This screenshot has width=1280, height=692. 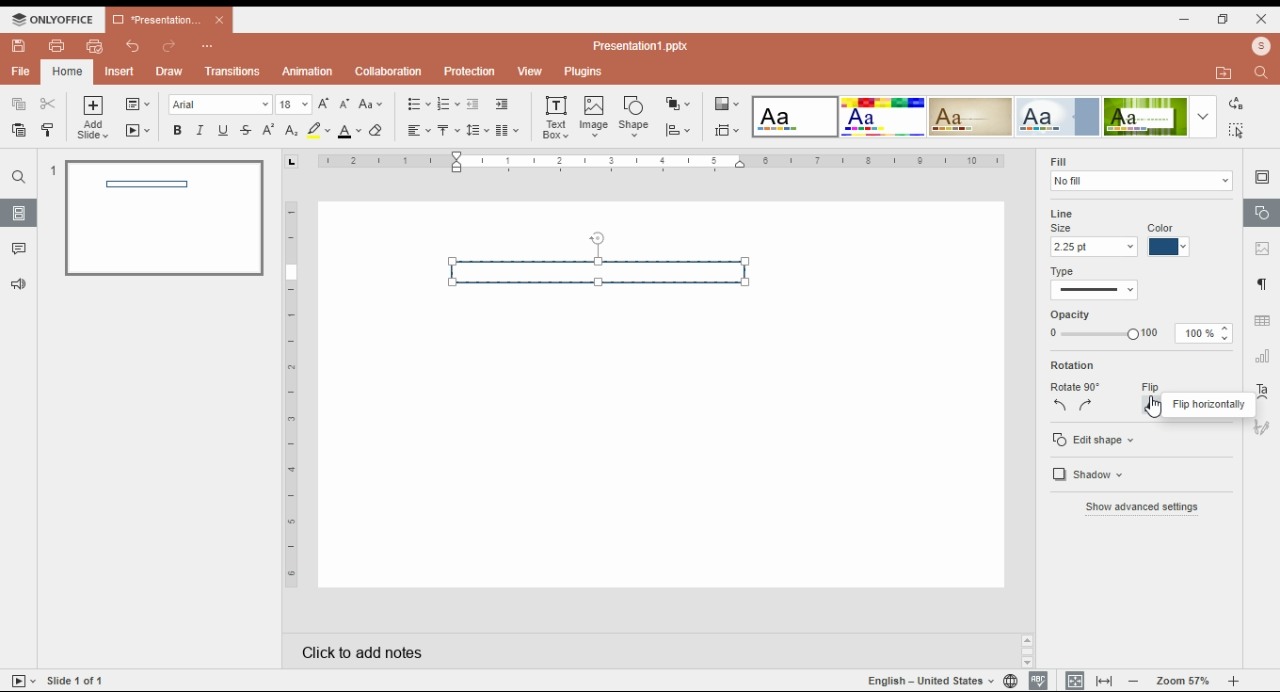 What do you see at coordinates (1105, 680) in the screenshot?
I see `fit to width` at bounding box center [1105, 680].